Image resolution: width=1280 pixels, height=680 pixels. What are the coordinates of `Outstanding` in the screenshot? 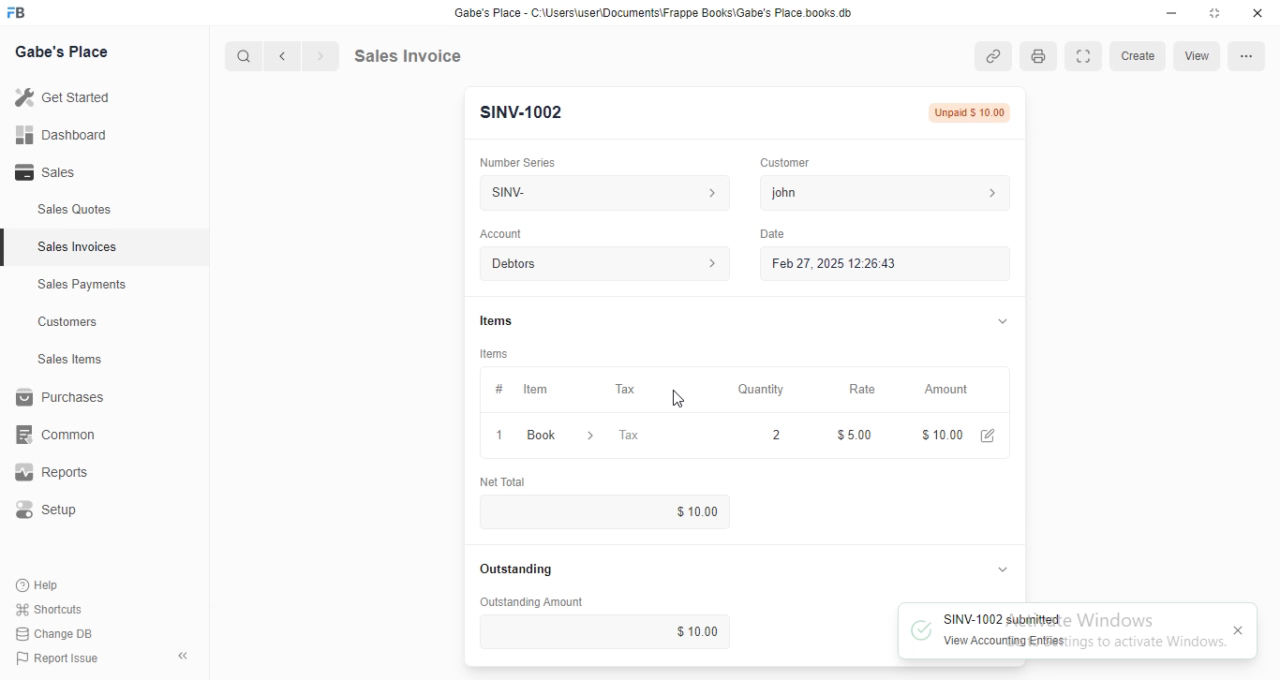 It's located at (523, 567).